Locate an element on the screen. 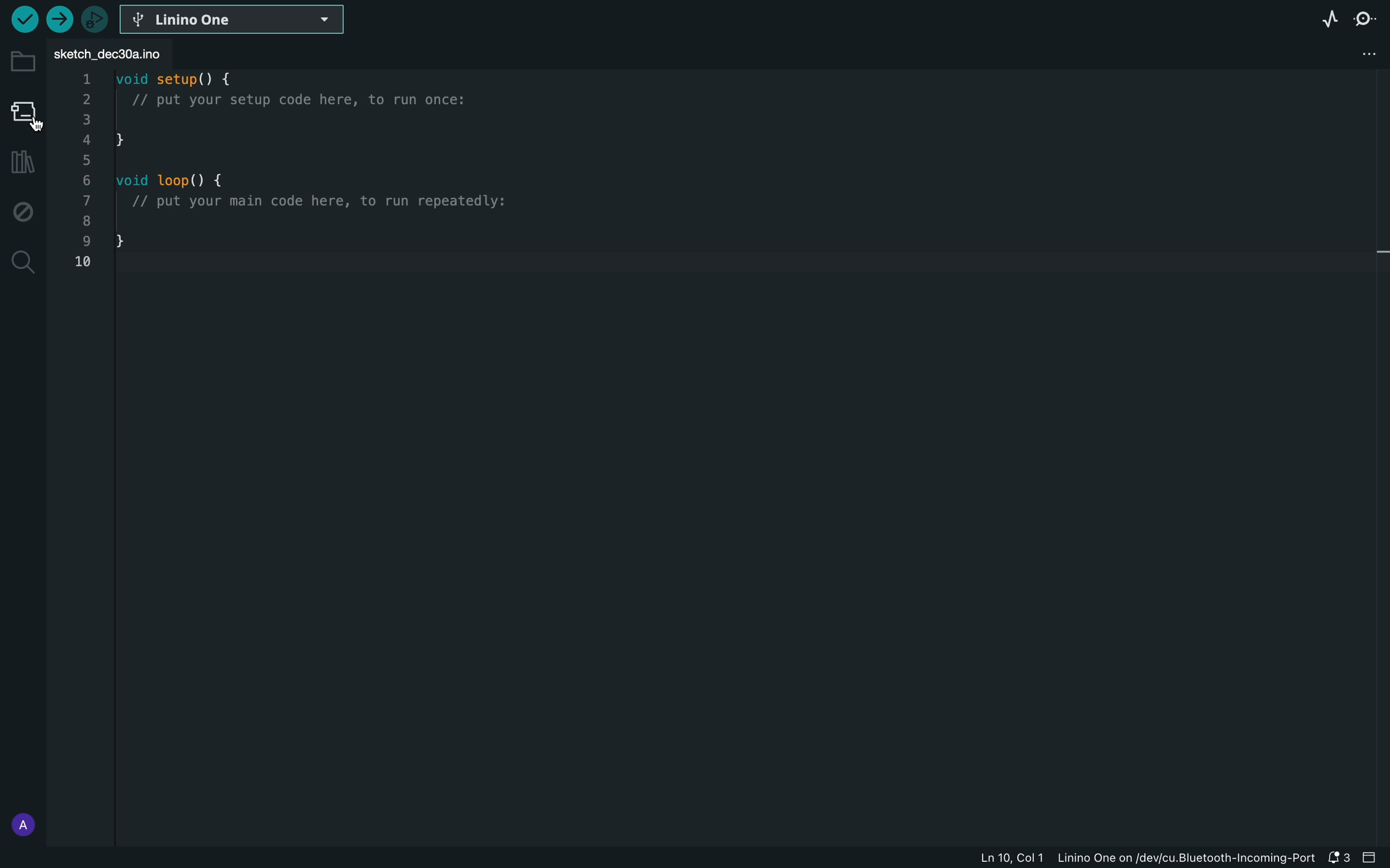 This screenshot has height=868, width=1390. profile is located at coordinates (20, 821).